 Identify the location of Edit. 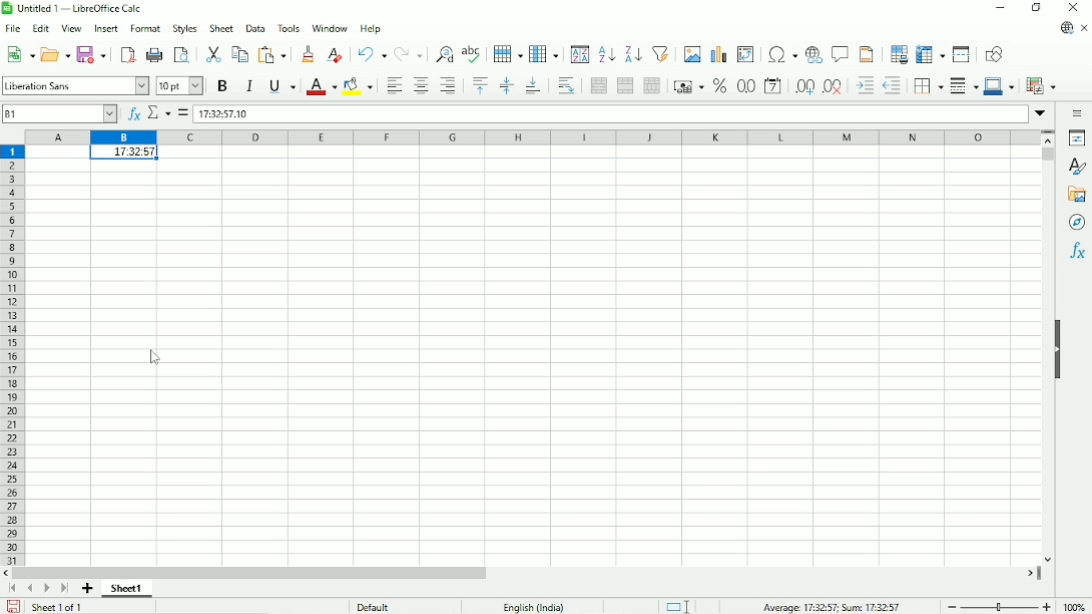
(40, 29).